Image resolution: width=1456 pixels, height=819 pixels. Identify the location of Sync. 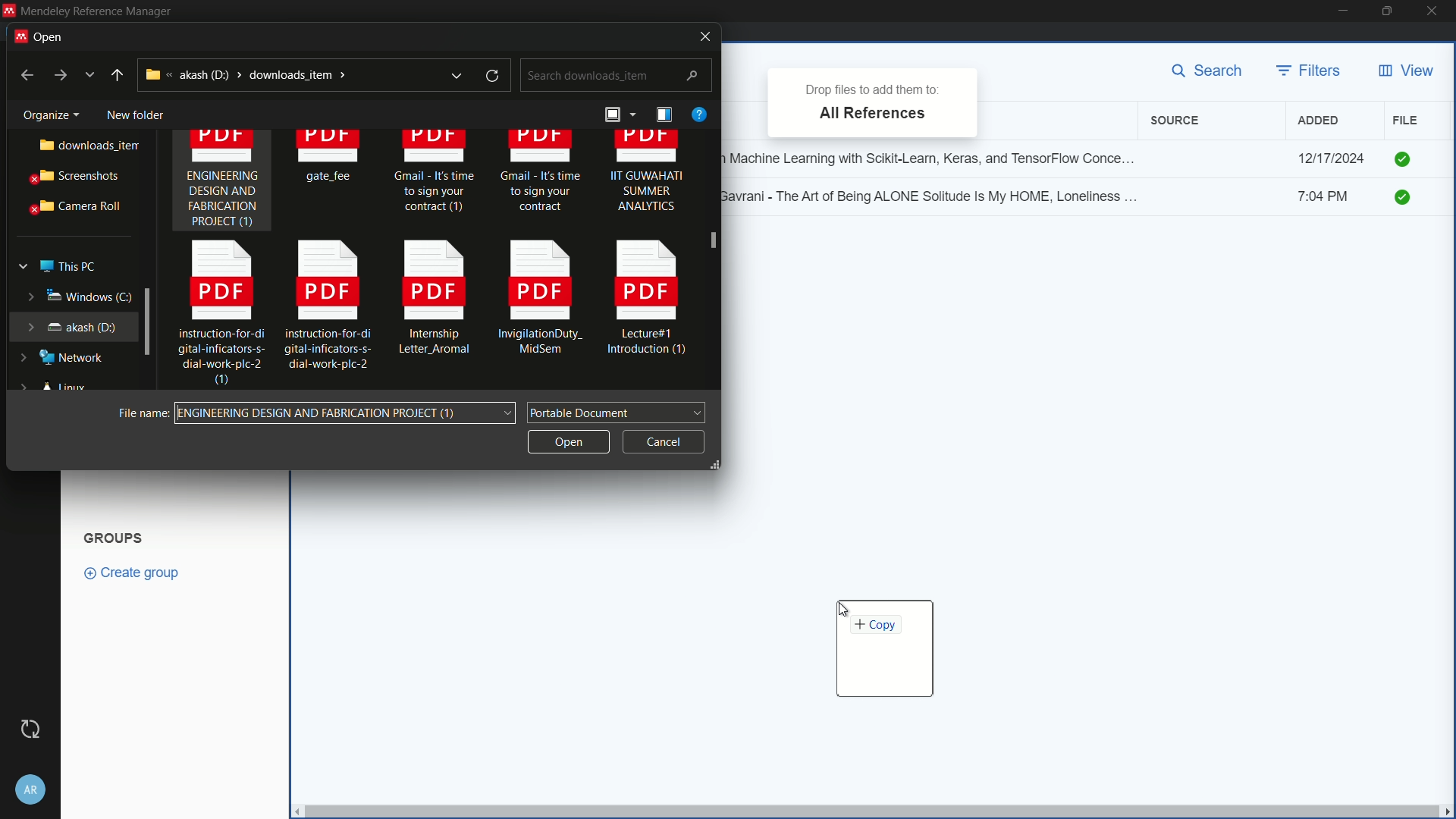
(30, 729).